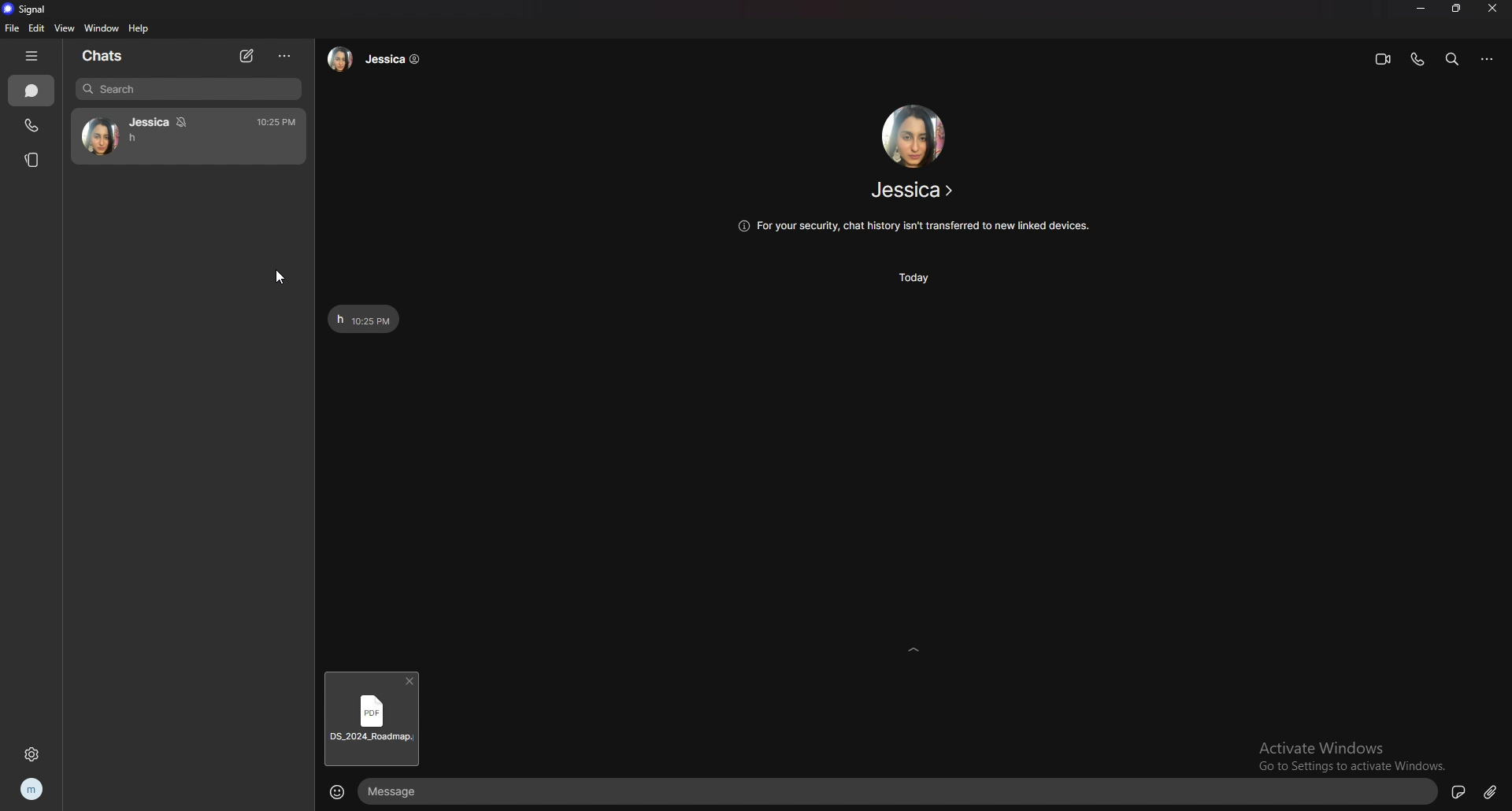 The image size is (1512, 811). I want to click on search messages, so click(1452, 58).